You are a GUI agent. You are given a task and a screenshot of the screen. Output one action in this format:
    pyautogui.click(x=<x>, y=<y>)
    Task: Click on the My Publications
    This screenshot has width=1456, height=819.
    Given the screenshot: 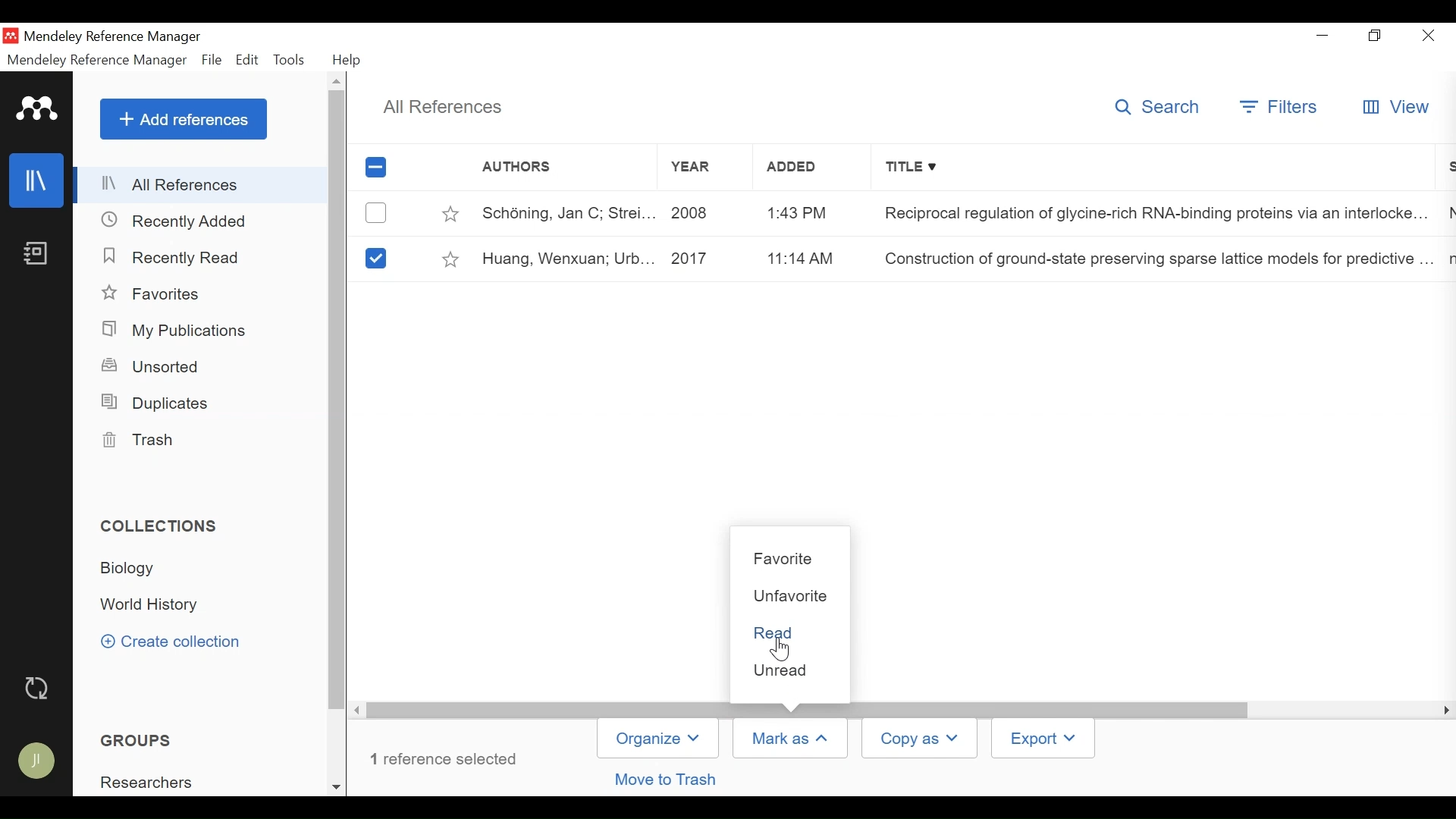 What is the action you would take?
    pyautogui.click(x=180, y=331)
    